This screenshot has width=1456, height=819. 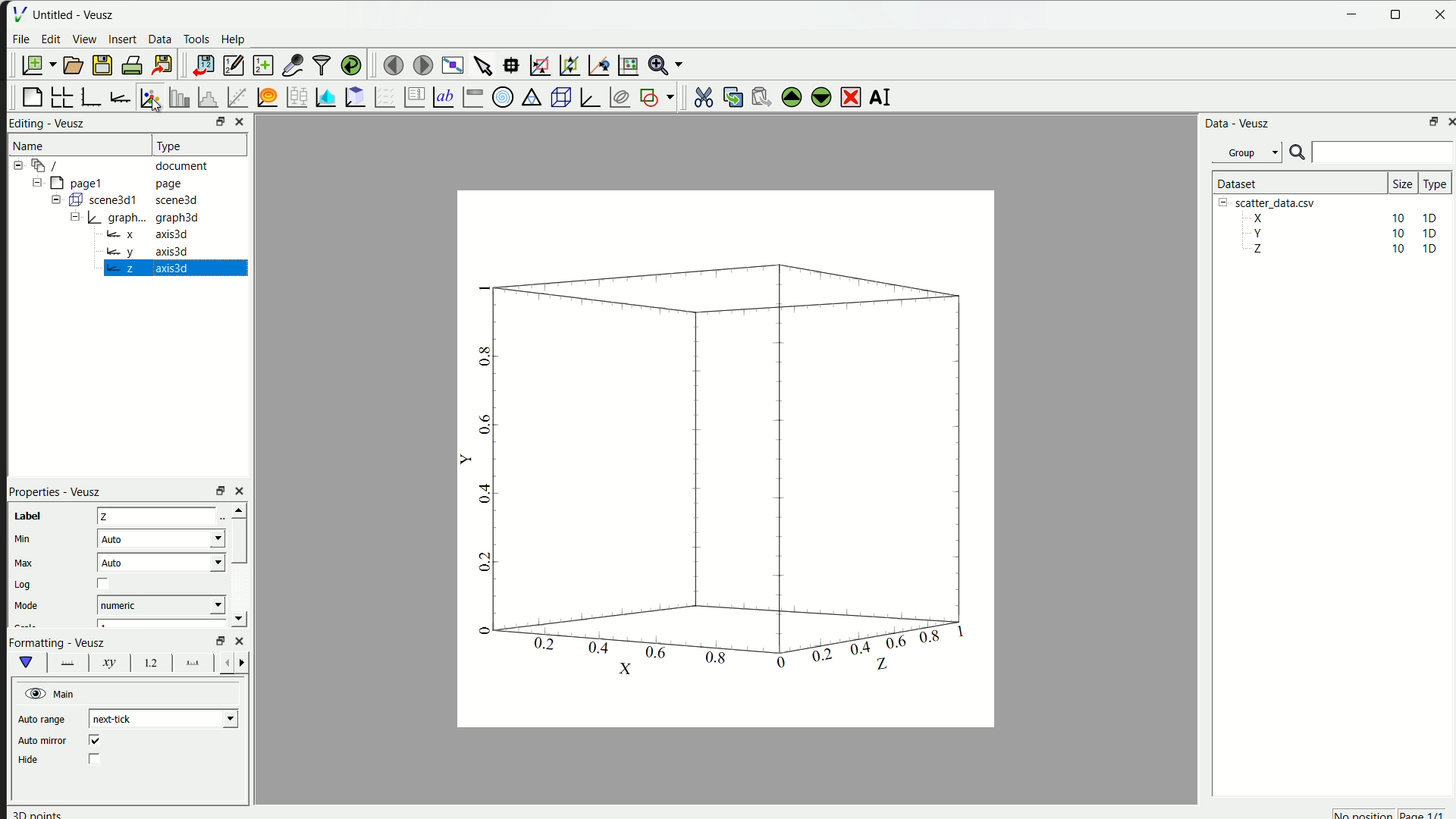 What do you see at coordinates (109, 165) in the screenshot?
I see `12-9 / document` at bounding box center [109, 165].